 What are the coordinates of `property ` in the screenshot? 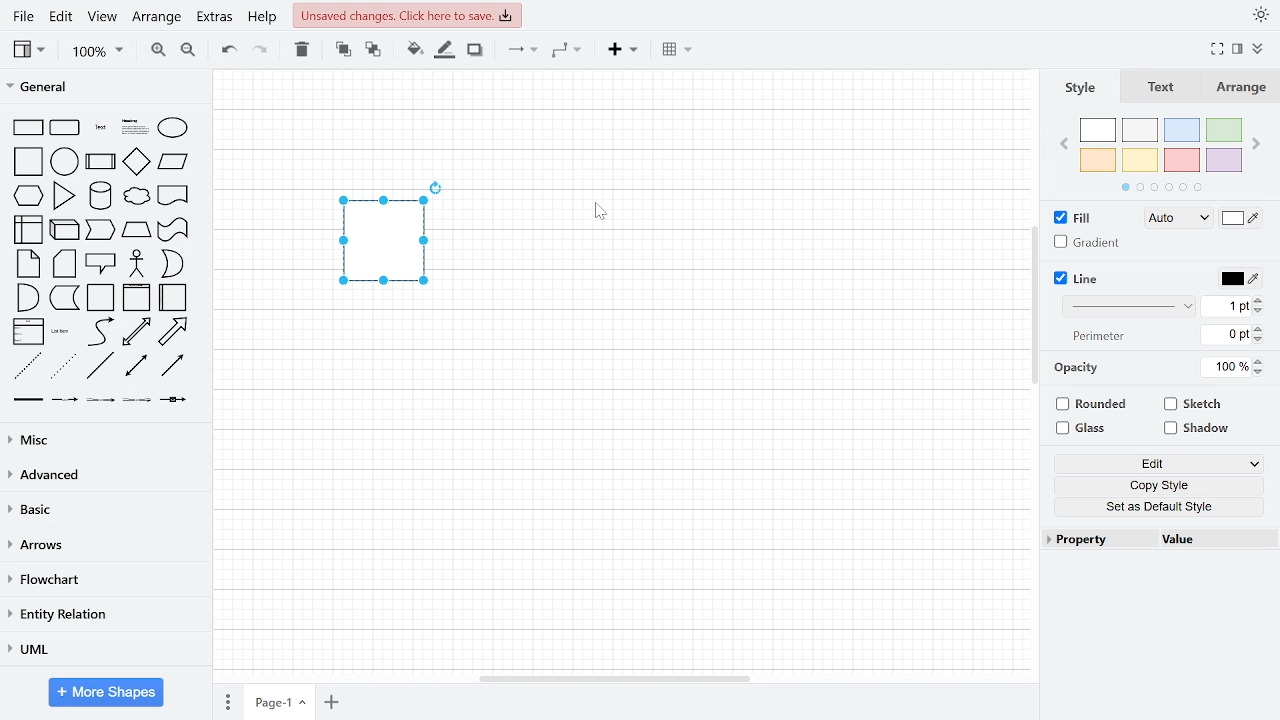 It's located at (1085, 542).